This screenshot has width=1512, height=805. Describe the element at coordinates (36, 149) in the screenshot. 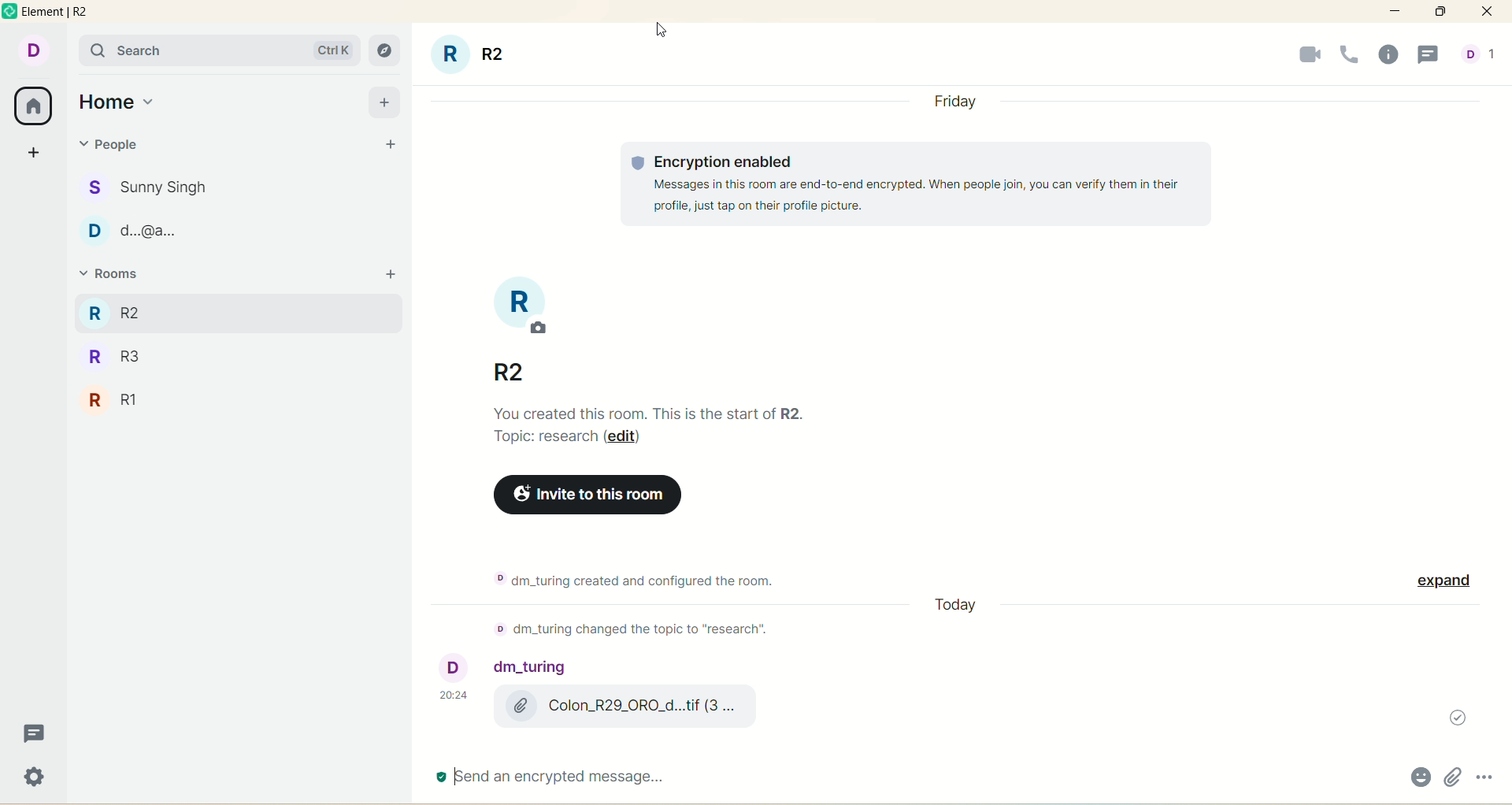

I see `create a space` at that location.